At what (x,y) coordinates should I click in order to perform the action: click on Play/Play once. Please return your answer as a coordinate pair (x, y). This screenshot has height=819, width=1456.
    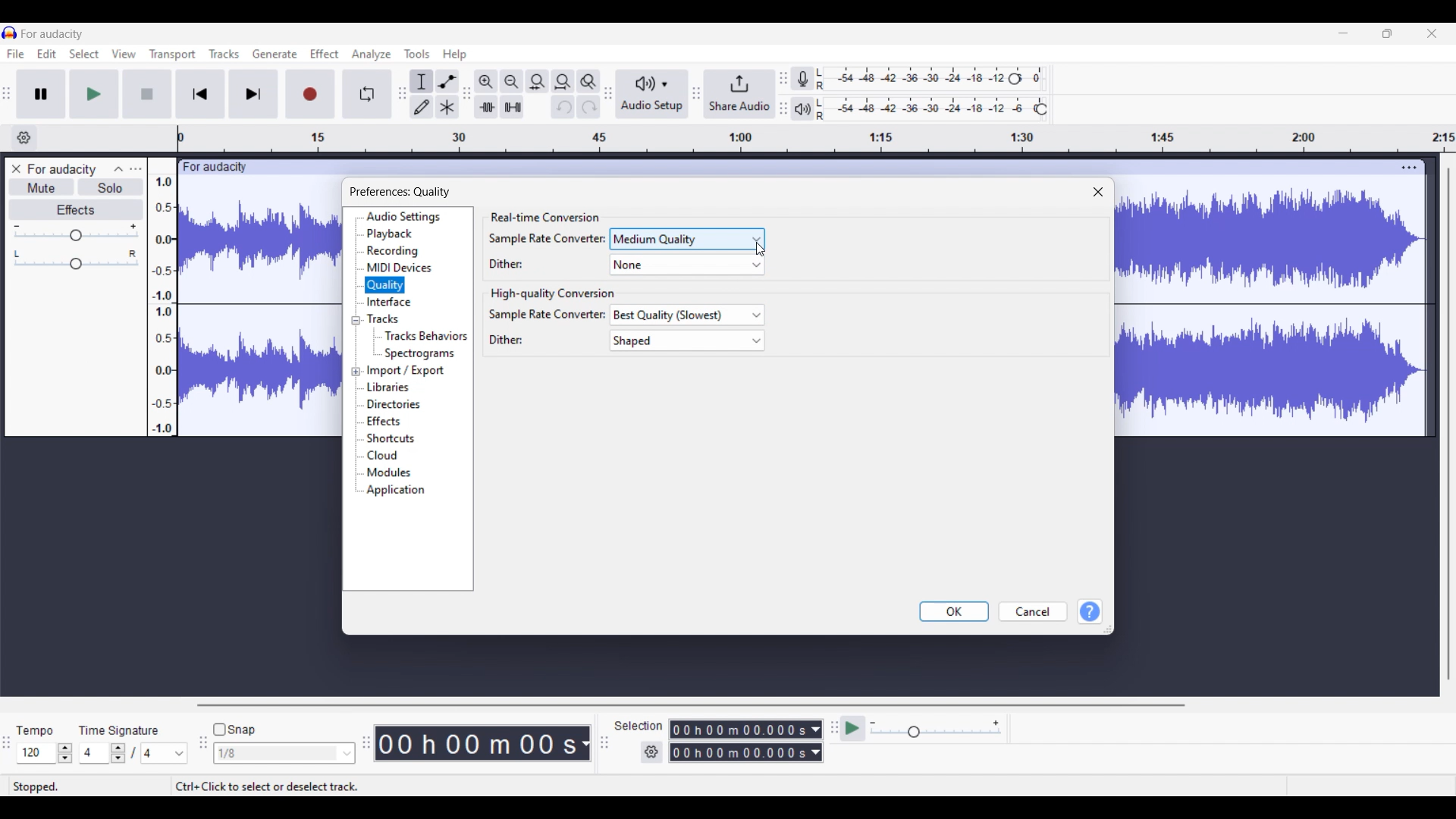
    Looking at the image, I should click on (94, 93).